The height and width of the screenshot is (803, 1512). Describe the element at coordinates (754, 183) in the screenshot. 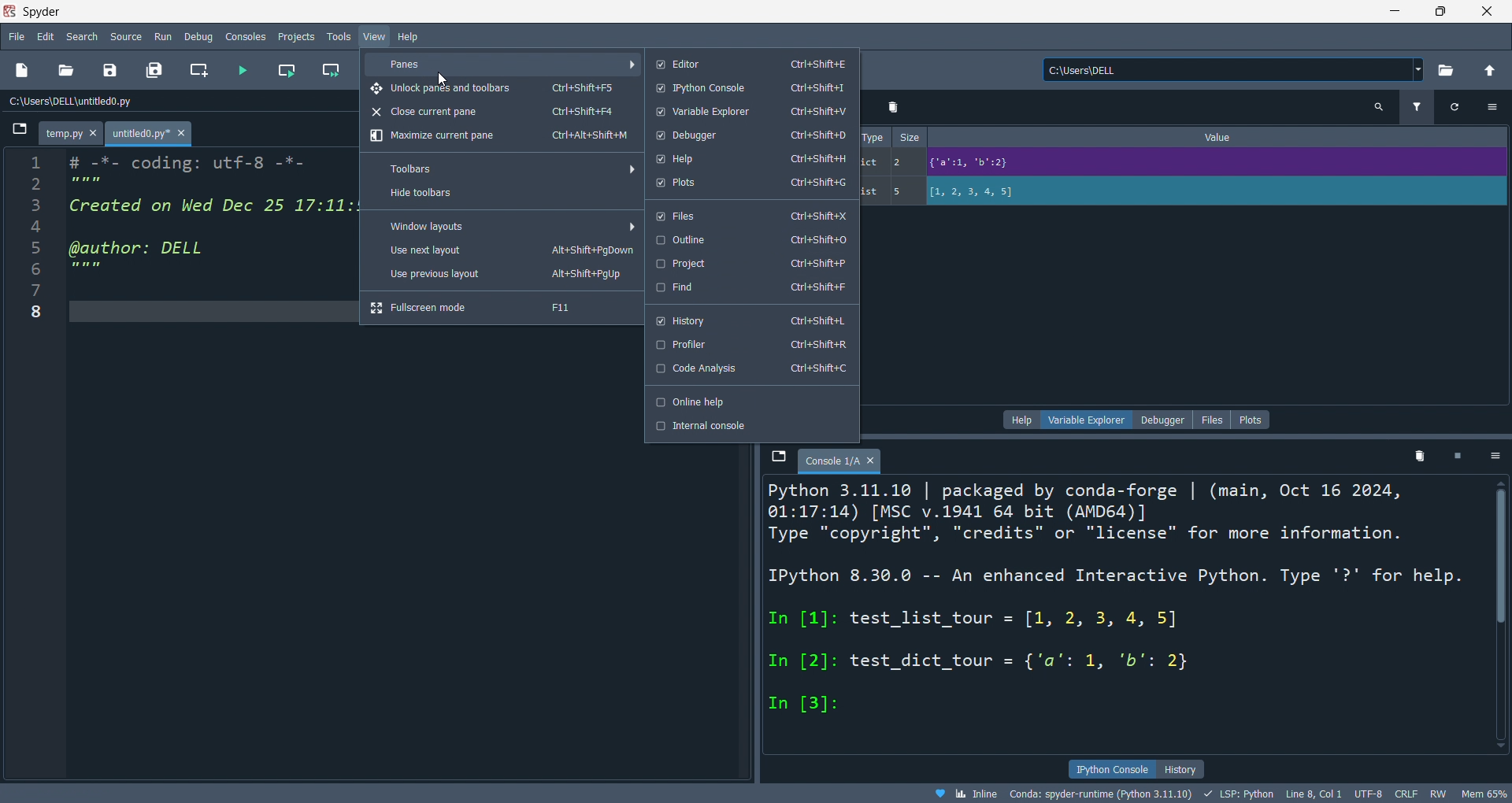

I see `plots` at that location.